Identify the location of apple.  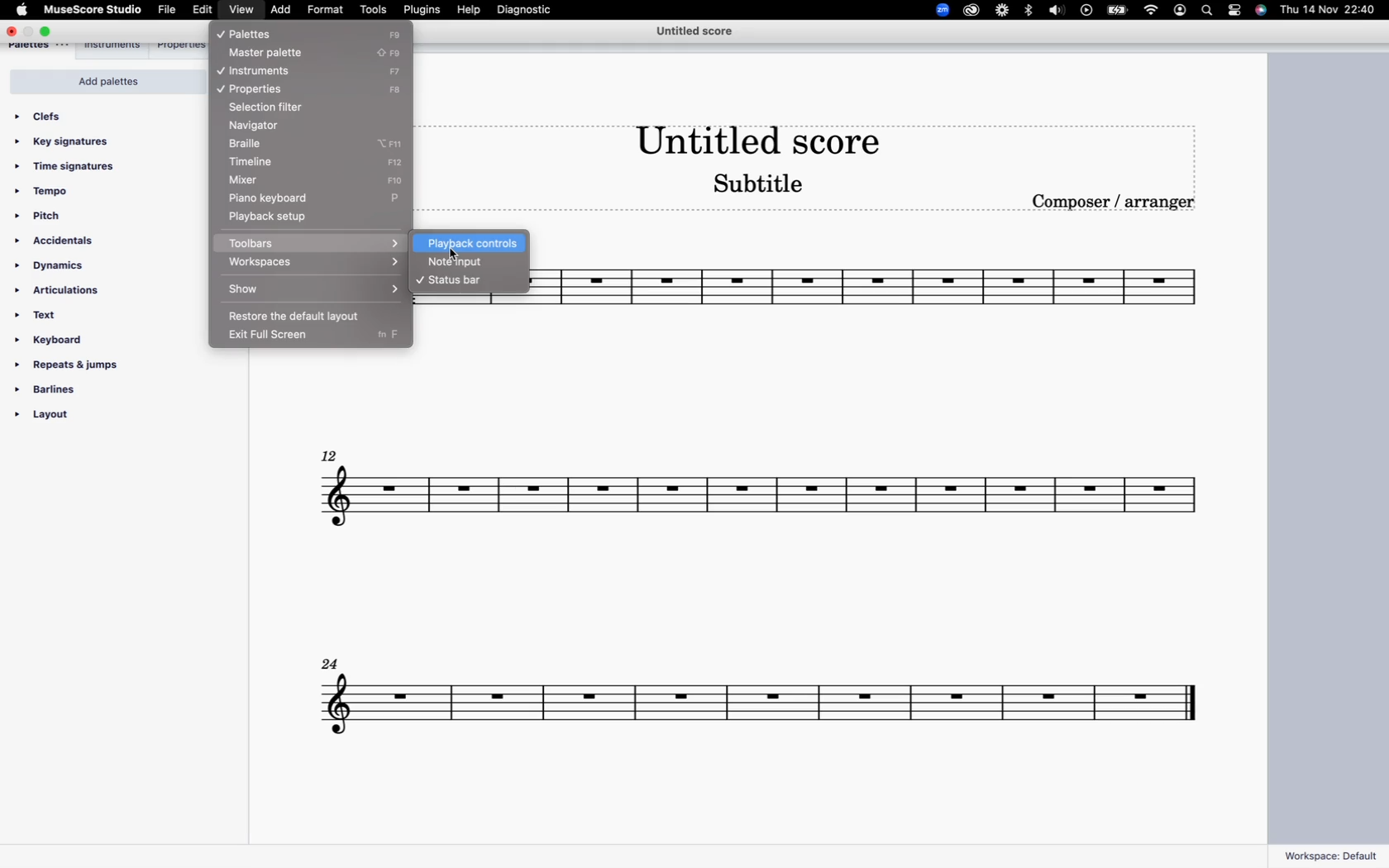
(22, 11).